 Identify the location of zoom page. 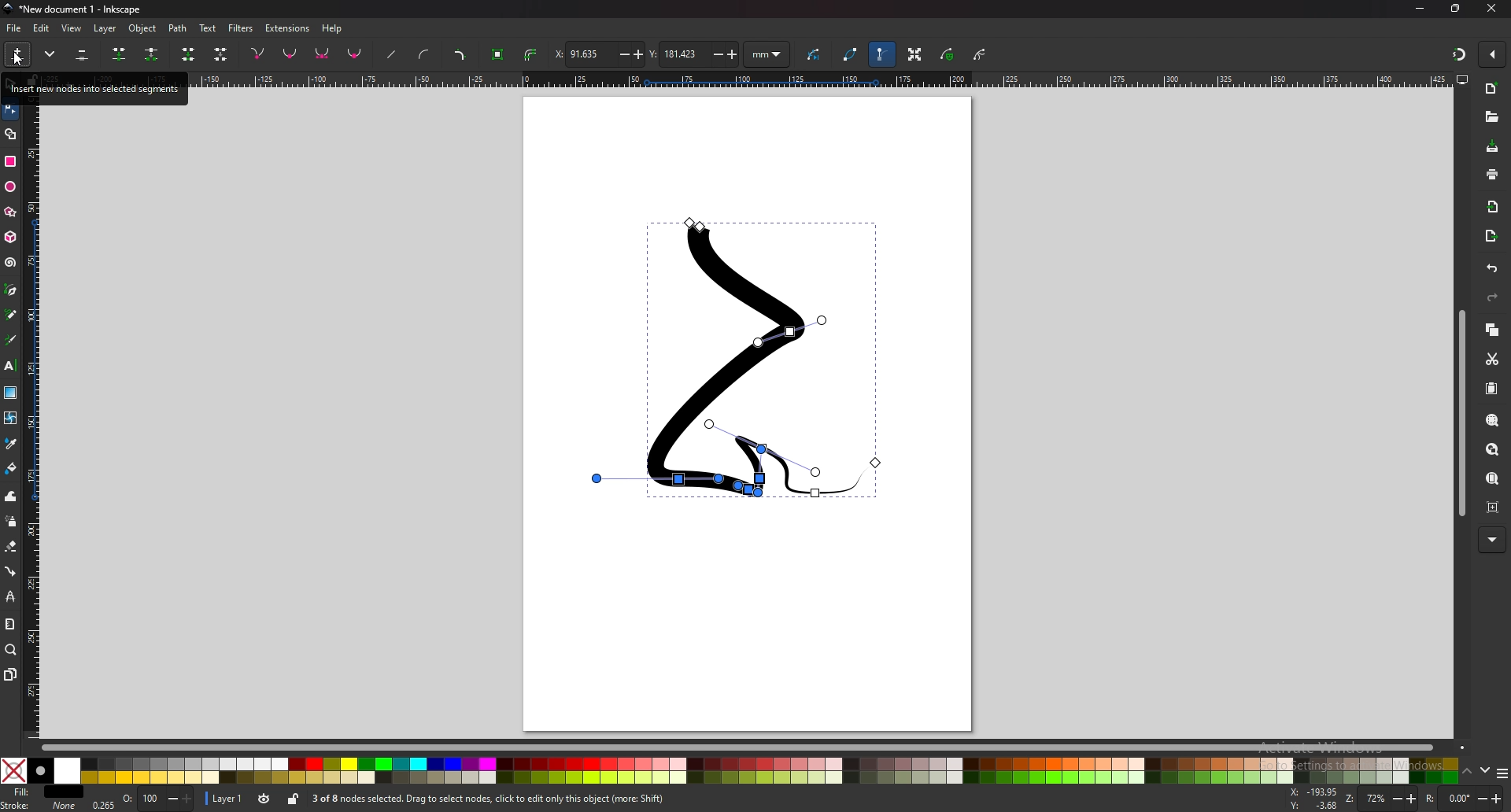
(1493, 478).